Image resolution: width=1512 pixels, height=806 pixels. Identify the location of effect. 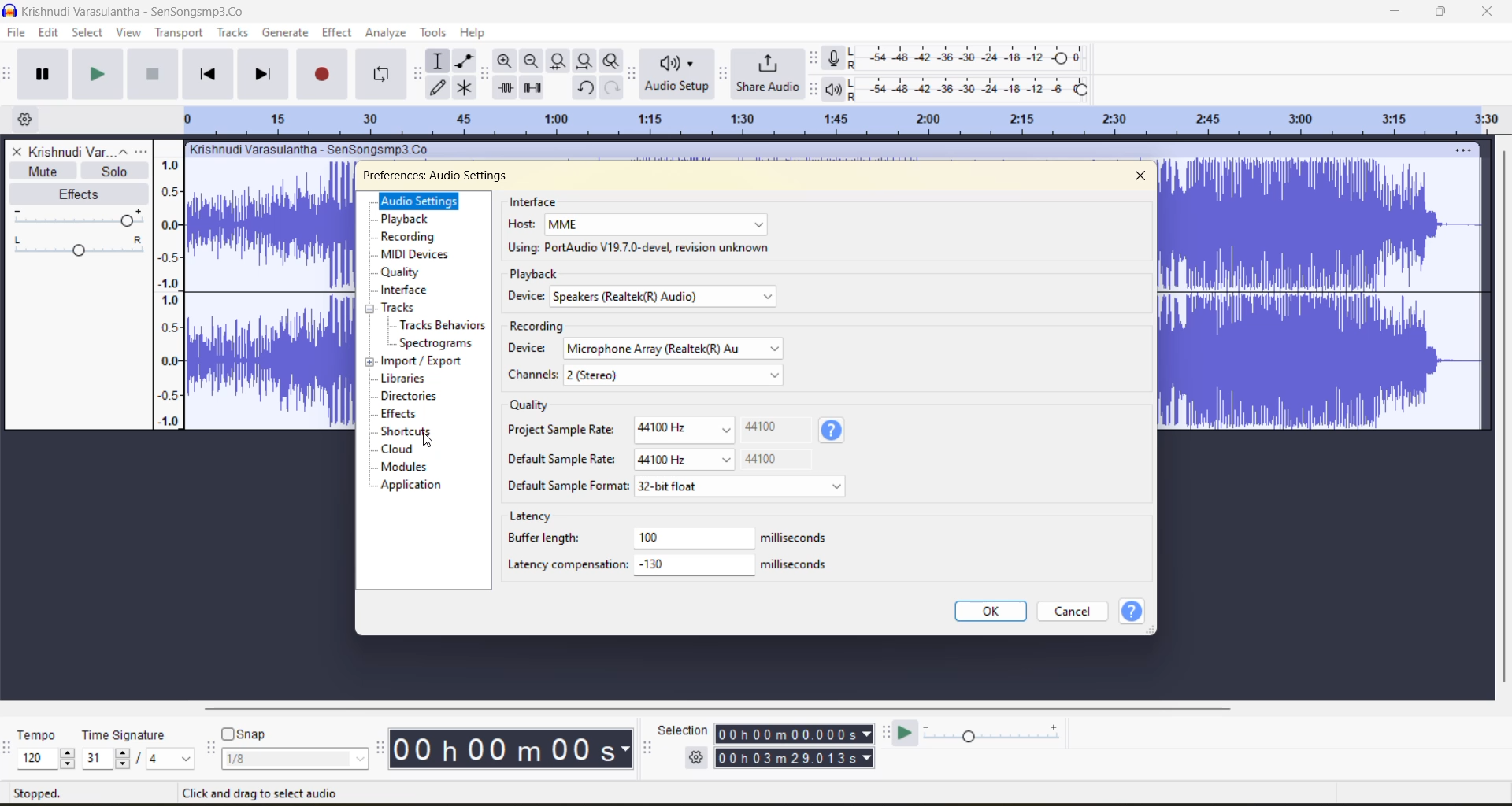
(338, 33).